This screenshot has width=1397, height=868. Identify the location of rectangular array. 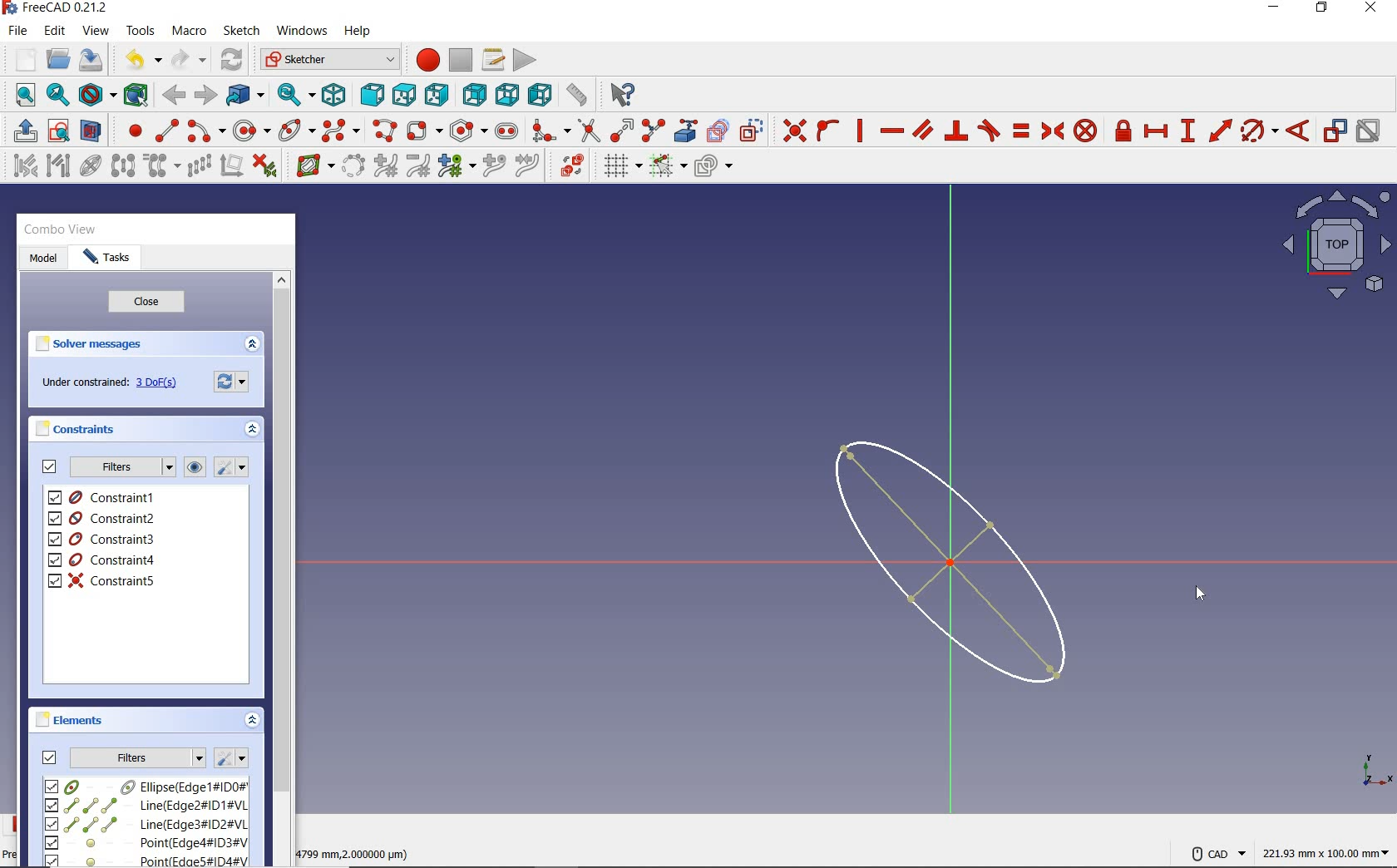
(199, 167).